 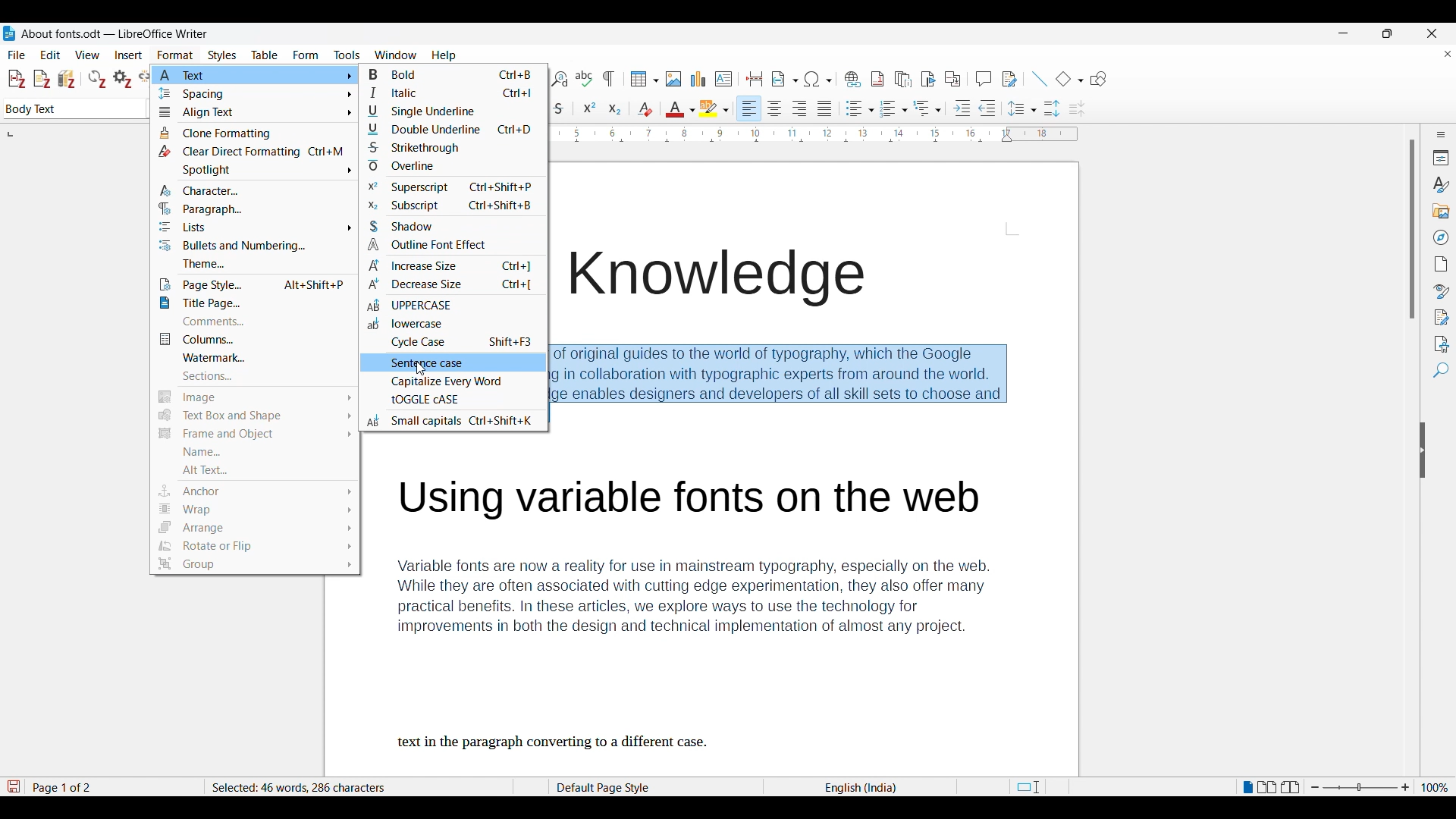 What do you see at coordinates (1052, 108) in the screenshot?
I see `Increase paragraph spacing` at bounding box center [1052, 108].